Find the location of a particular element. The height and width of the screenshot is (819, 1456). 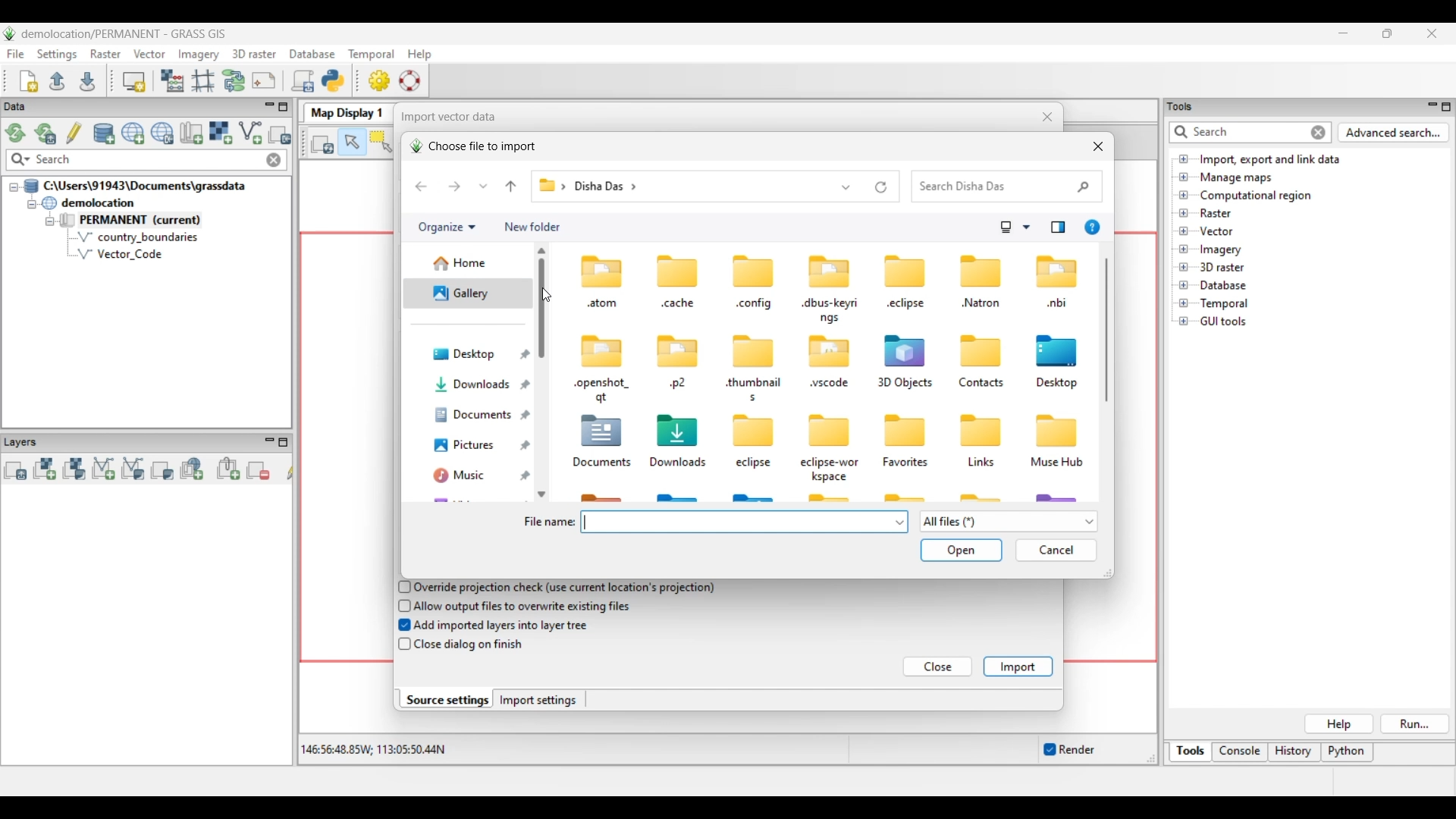

cursor is located at coordinates (549, 293).